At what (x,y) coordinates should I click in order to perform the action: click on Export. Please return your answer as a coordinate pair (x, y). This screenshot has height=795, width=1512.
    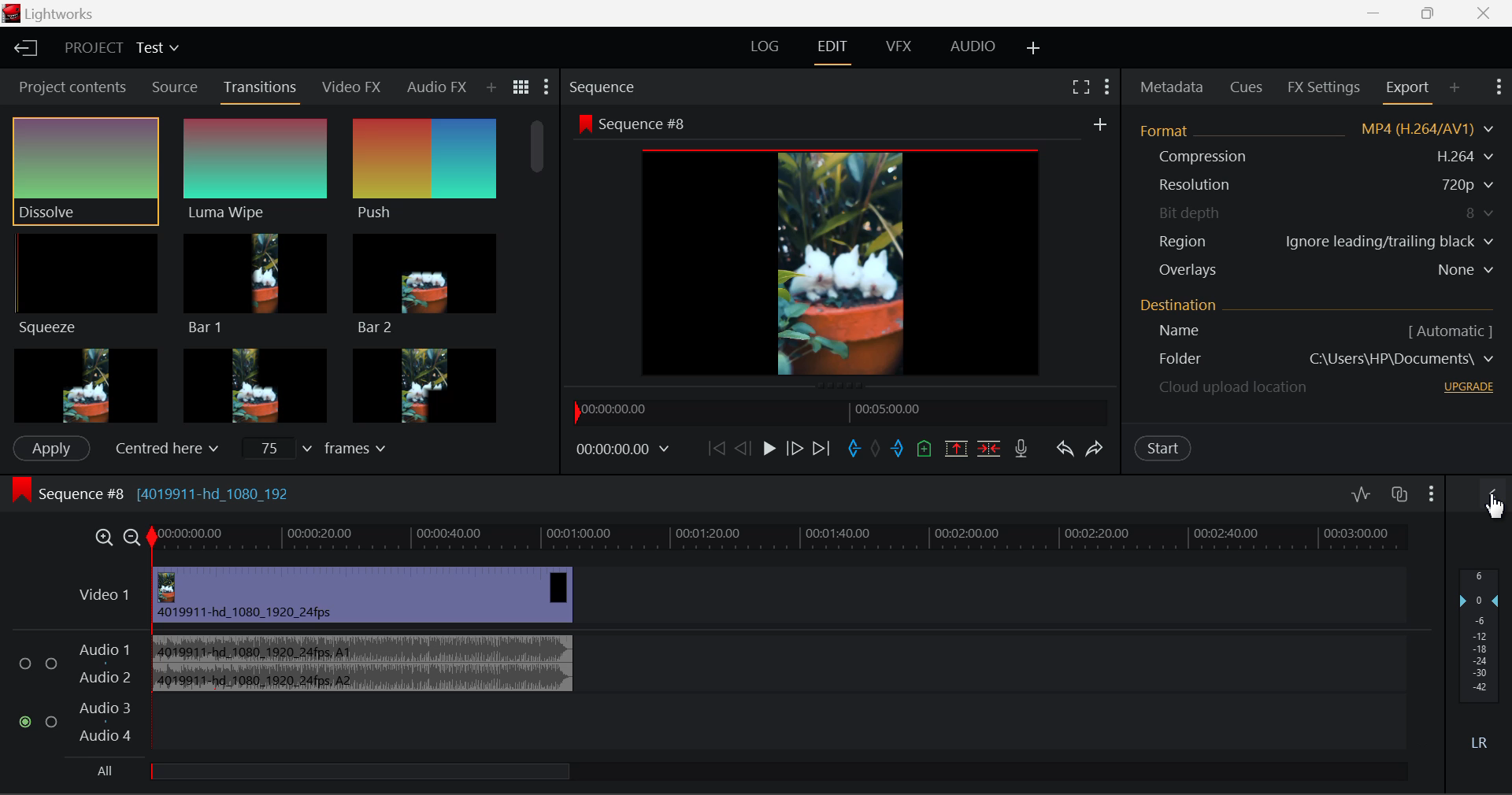
    Looking at the image, I should click on (1405, 91).